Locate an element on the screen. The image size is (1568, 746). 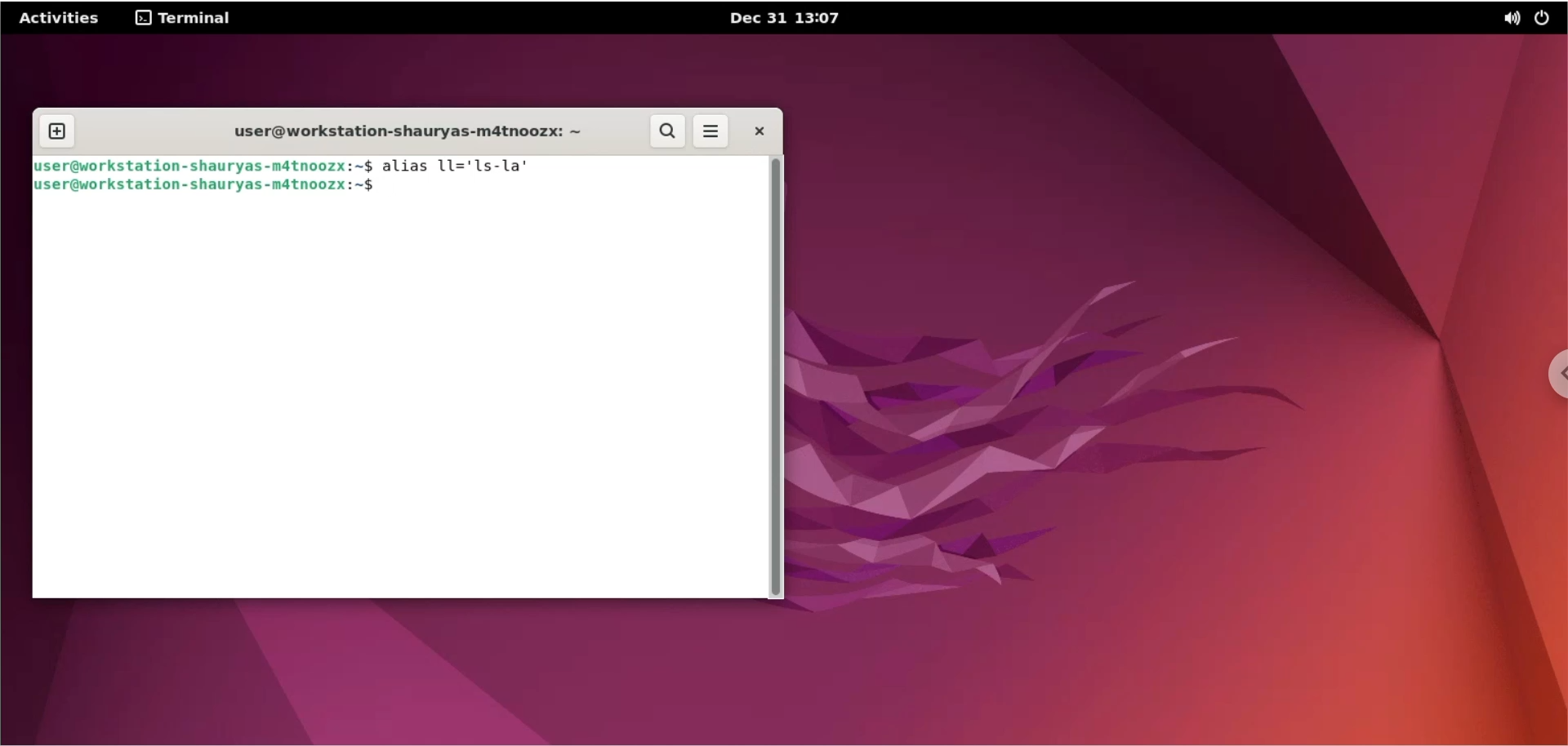
alias 11='ls-la’ is located at coordinates (460, 167).